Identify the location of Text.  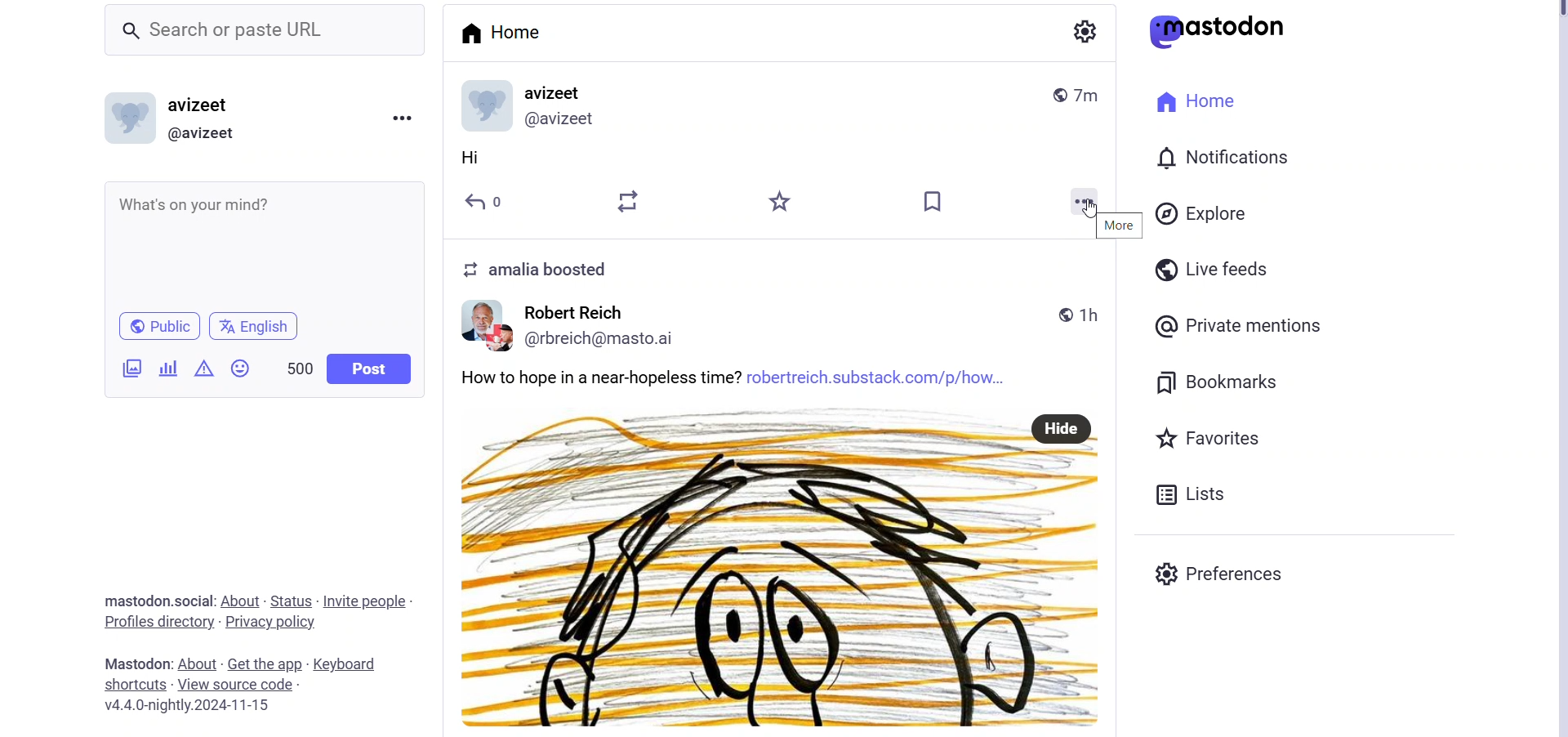
(158, 601).